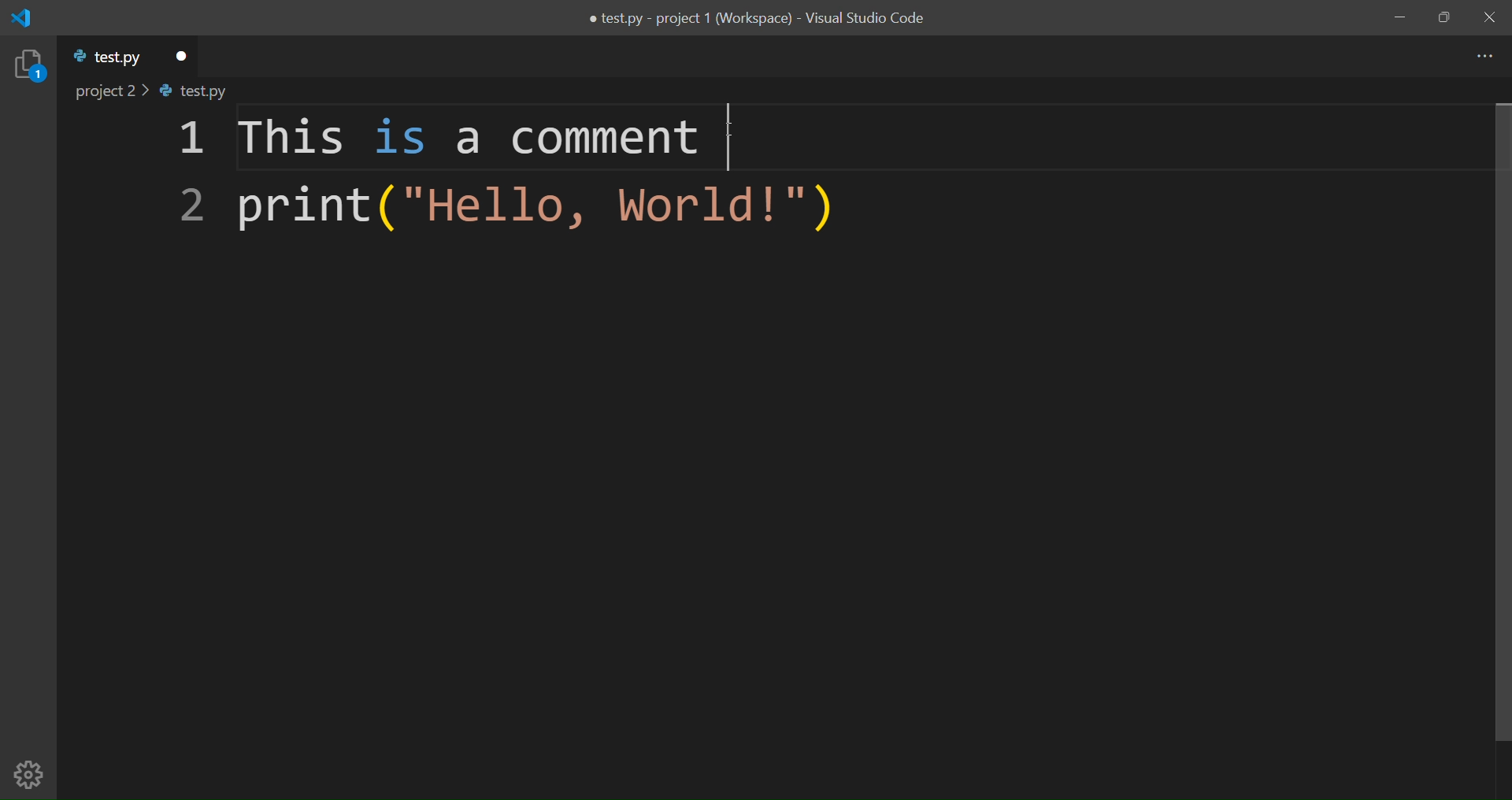  I want to click on explorer, so click(28, 66).